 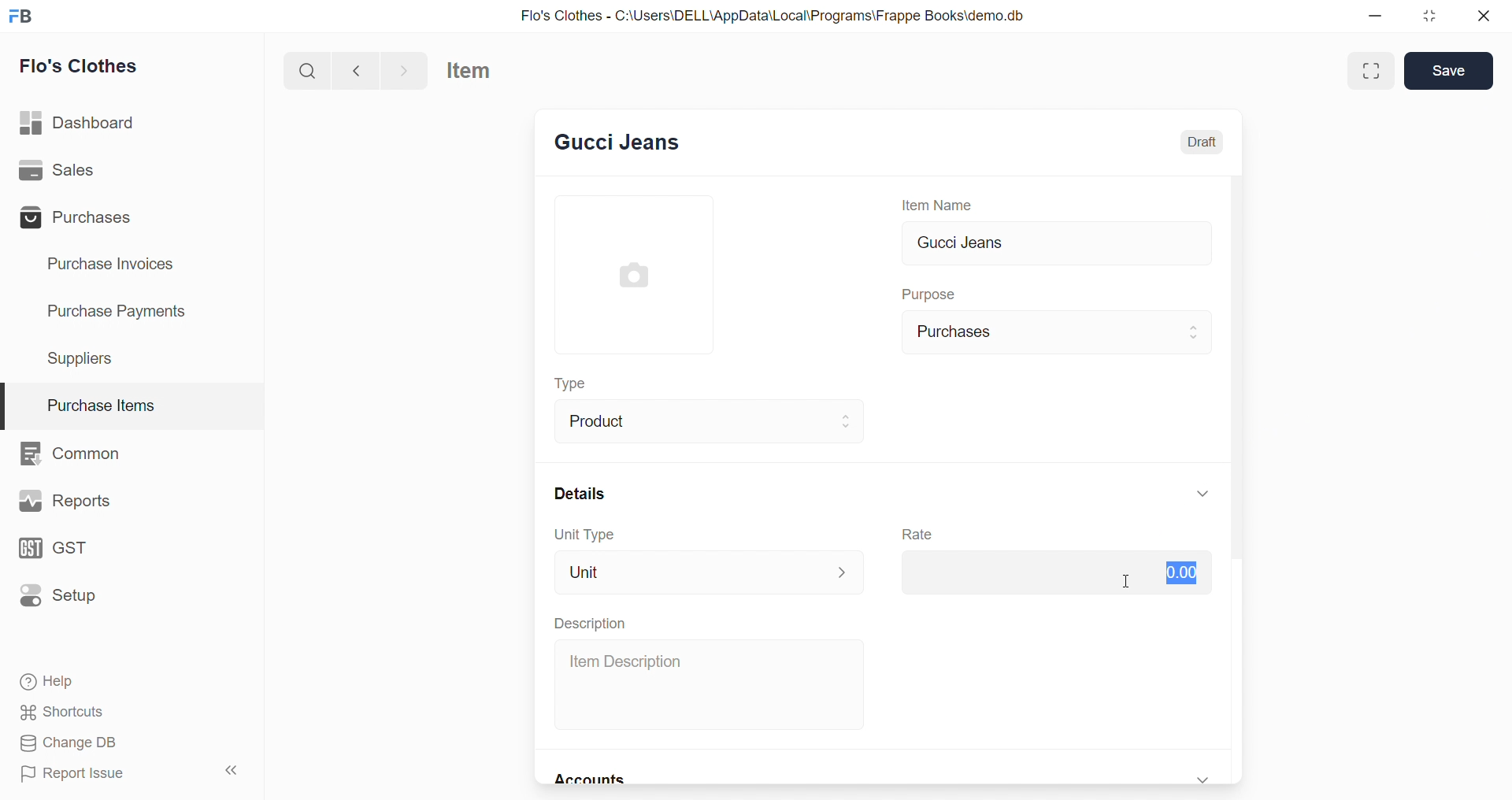 What do you see at coordinates (80, 217) in the screenshot?
I see `Purchases` at bounding box center [80, 217].